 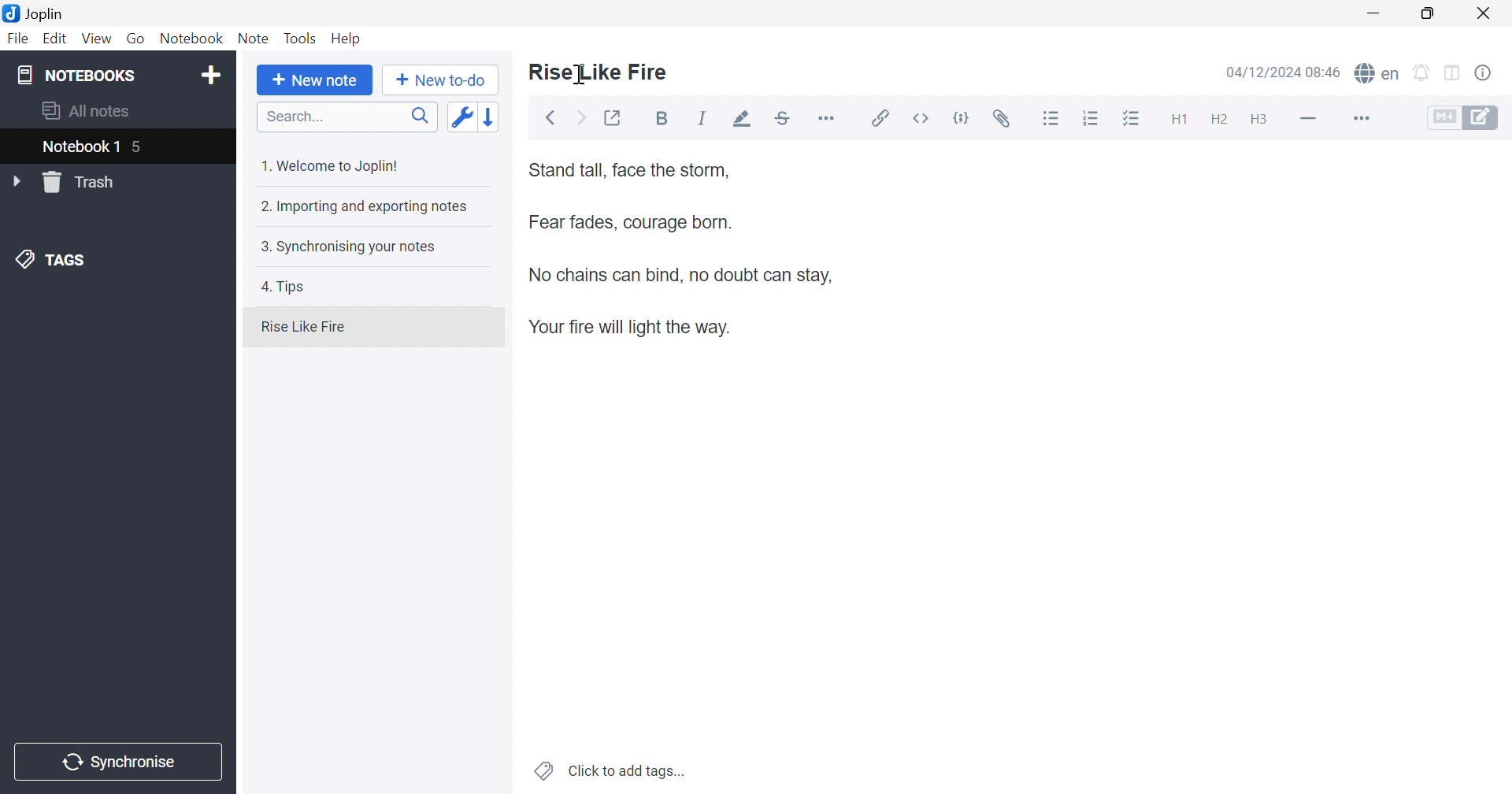 What do you see at coordinates (349, 117) in the screenshot?
I see `Search` at bounding box center [349, 117].